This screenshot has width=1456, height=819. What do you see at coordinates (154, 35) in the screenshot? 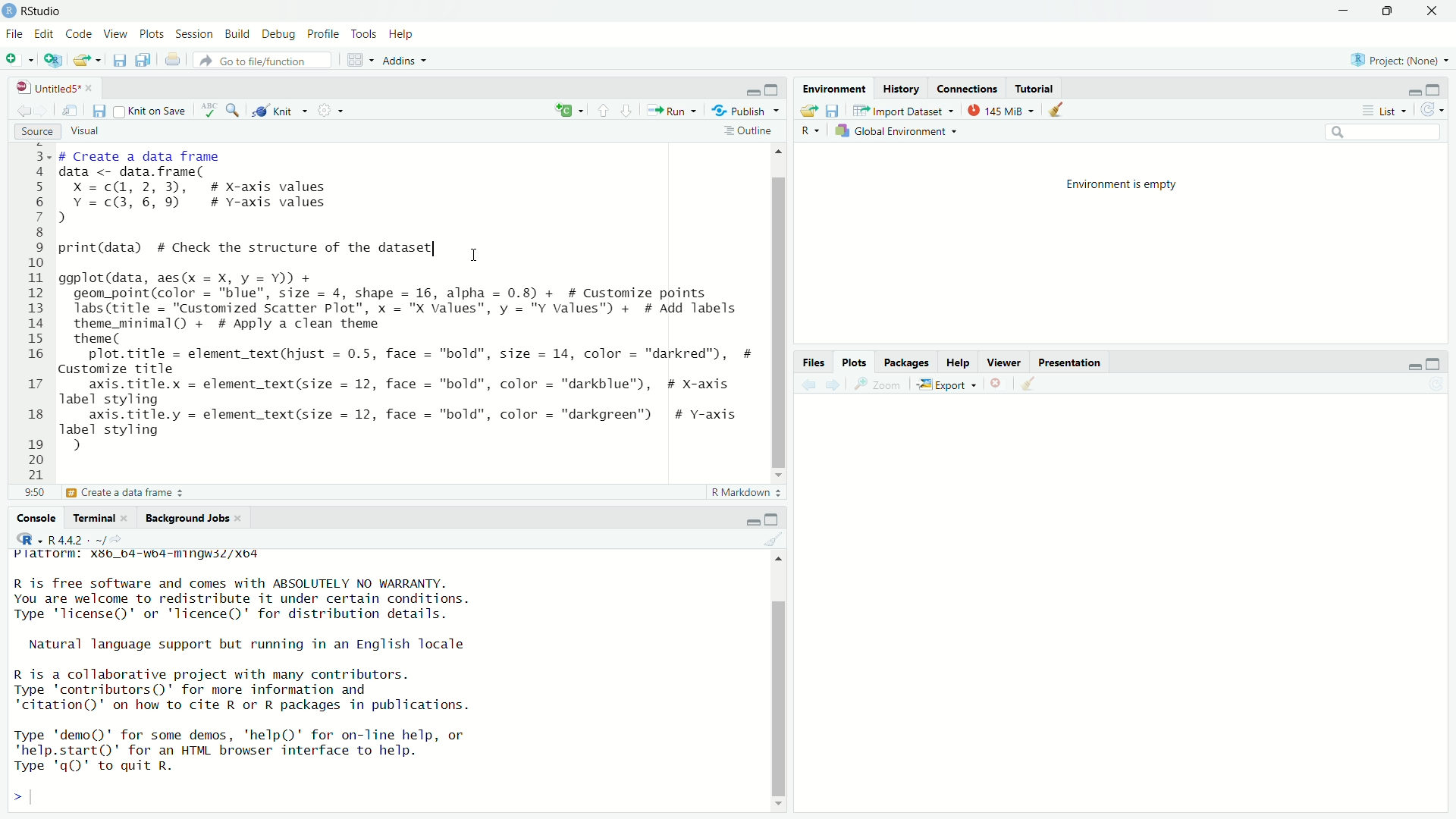
I see `Plots` at bounding box center [154, 35].